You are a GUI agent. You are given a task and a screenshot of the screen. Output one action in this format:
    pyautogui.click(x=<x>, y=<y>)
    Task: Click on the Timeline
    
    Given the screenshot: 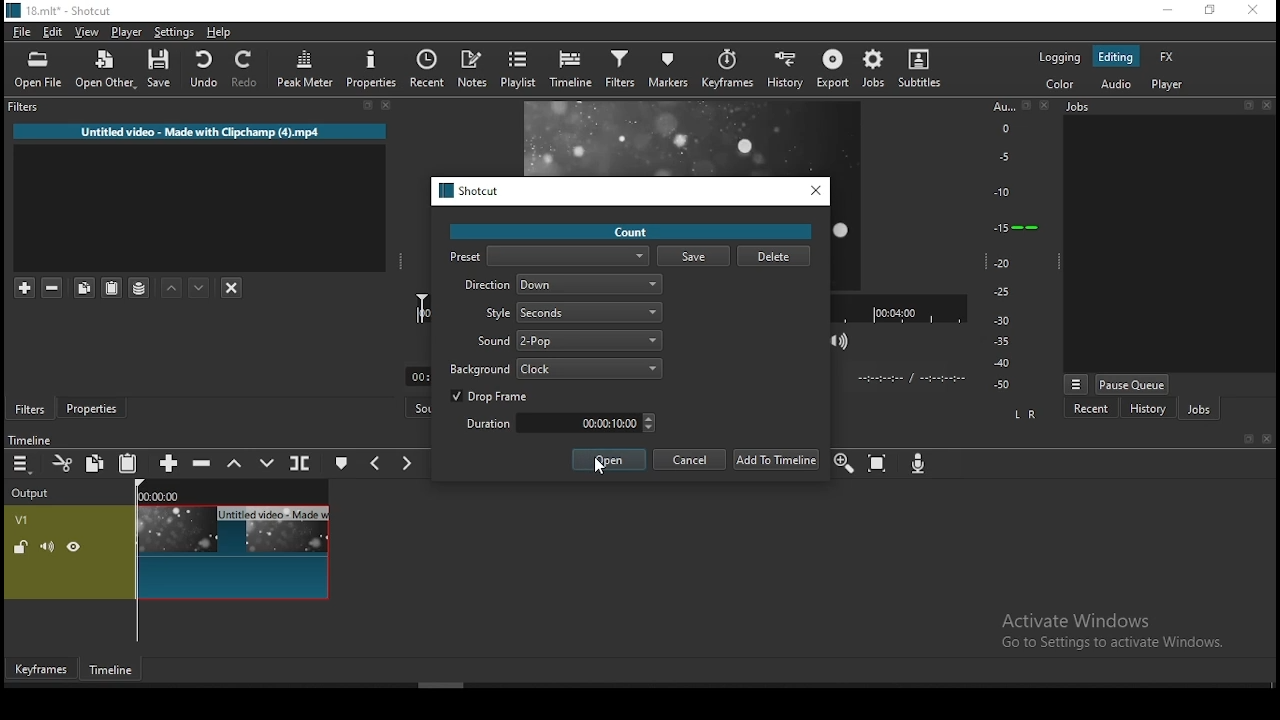 What is the action you would take?
    pyautogui.click(x=51, y=436)
    